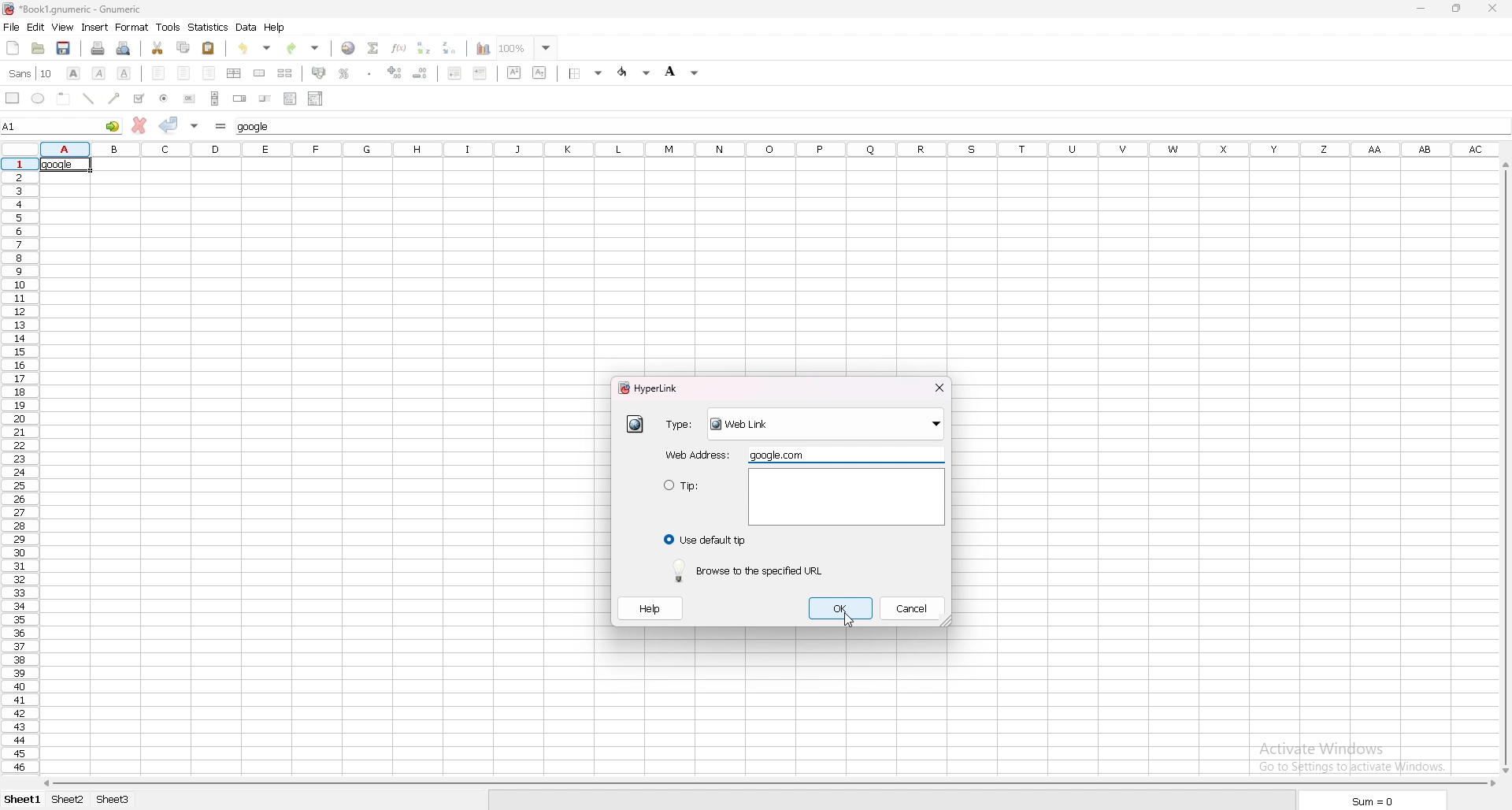 This screenshot has width=1512, height=810. I want to click on selected cell column, so click(767, 149).